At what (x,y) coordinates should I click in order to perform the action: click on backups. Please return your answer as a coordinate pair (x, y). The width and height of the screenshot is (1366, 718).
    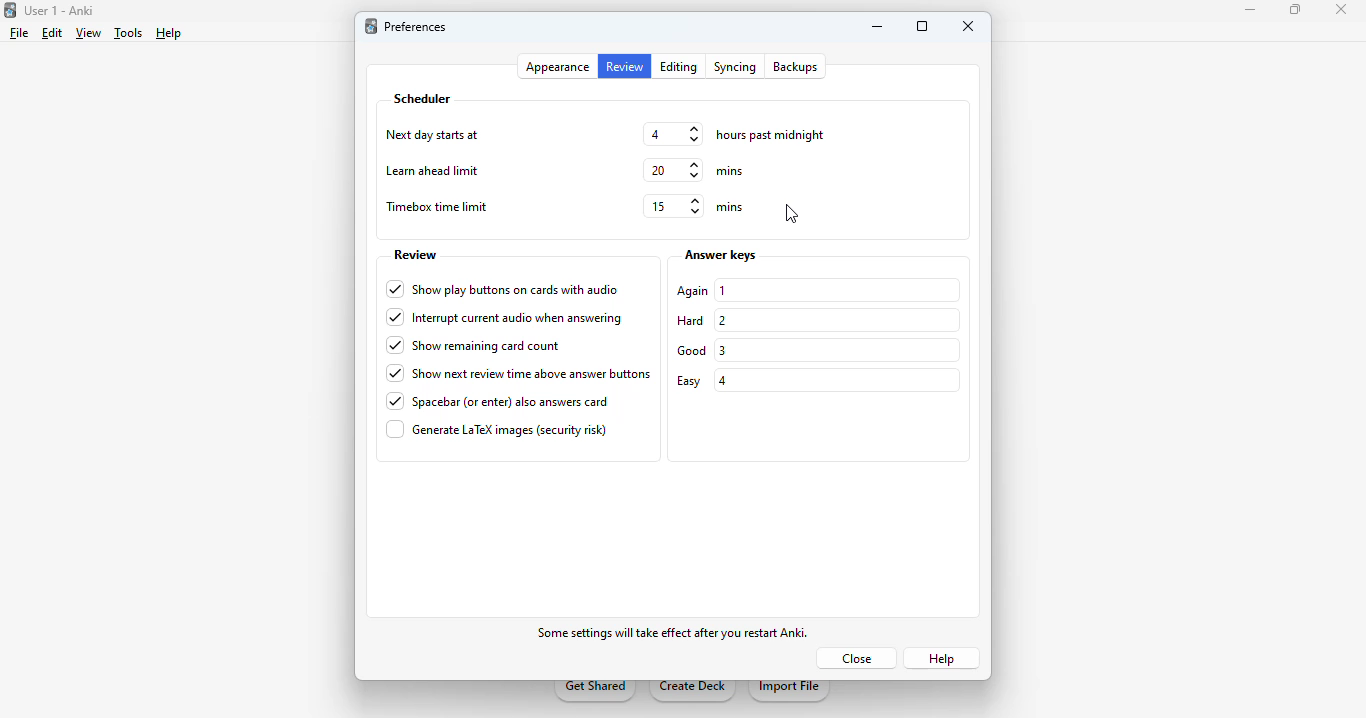
    Looking at the image, I should click on (796, 67).